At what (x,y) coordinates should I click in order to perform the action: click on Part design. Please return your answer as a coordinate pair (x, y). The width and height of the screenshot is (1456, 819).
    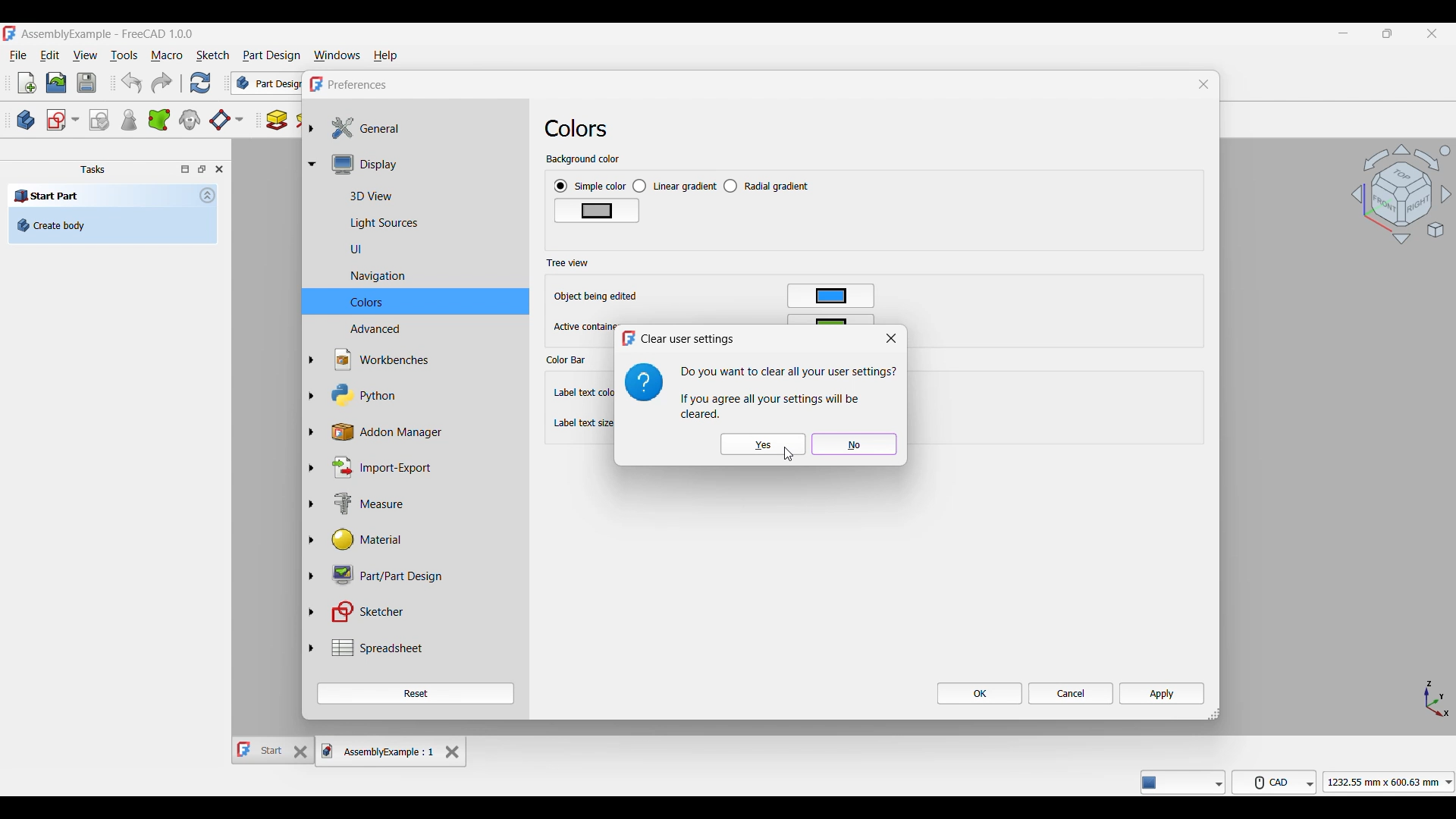
    Looking at the image, I should click on (271, 55).